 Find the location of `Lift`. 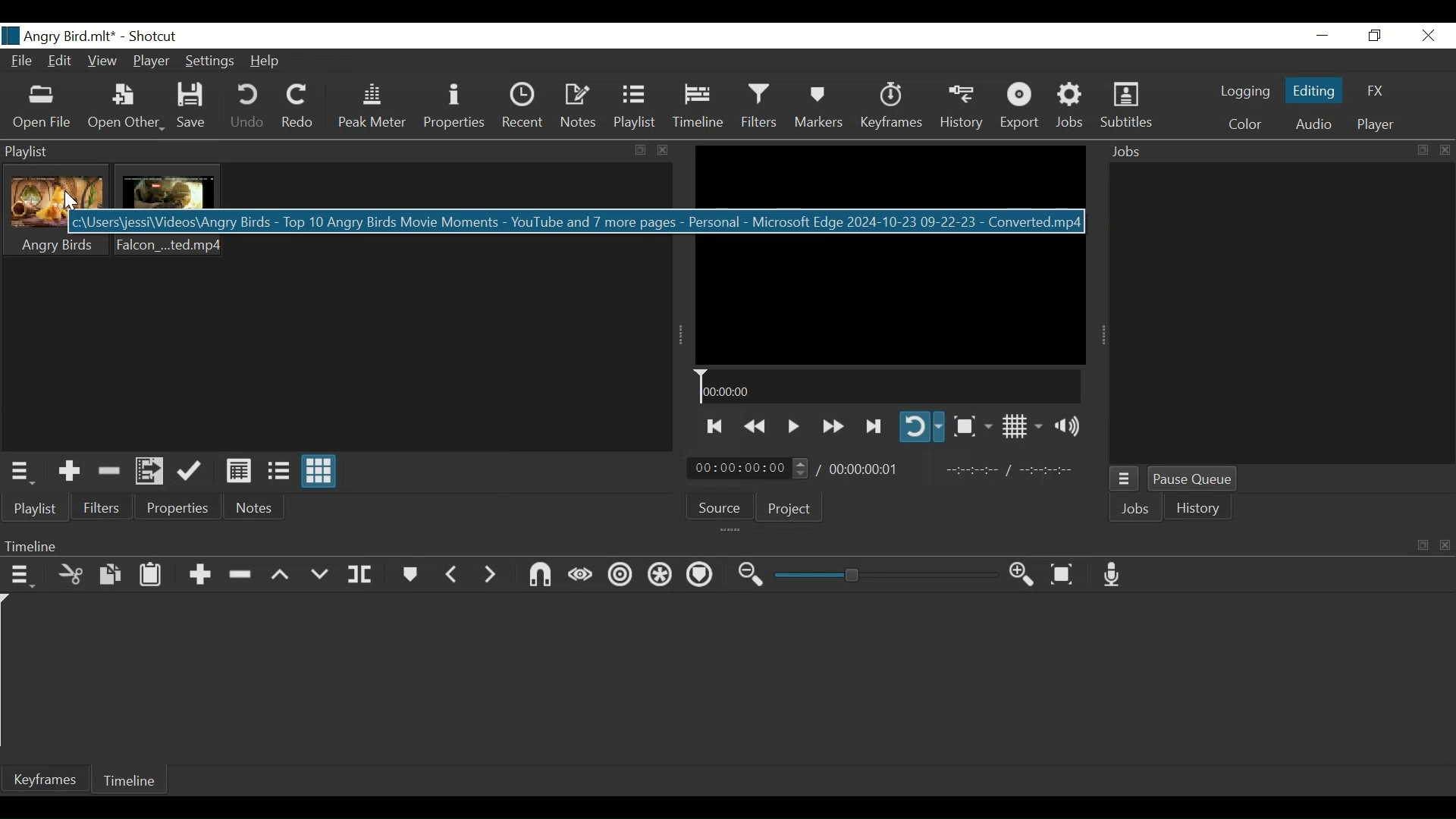

Lift is located at coordinates (281, 574).